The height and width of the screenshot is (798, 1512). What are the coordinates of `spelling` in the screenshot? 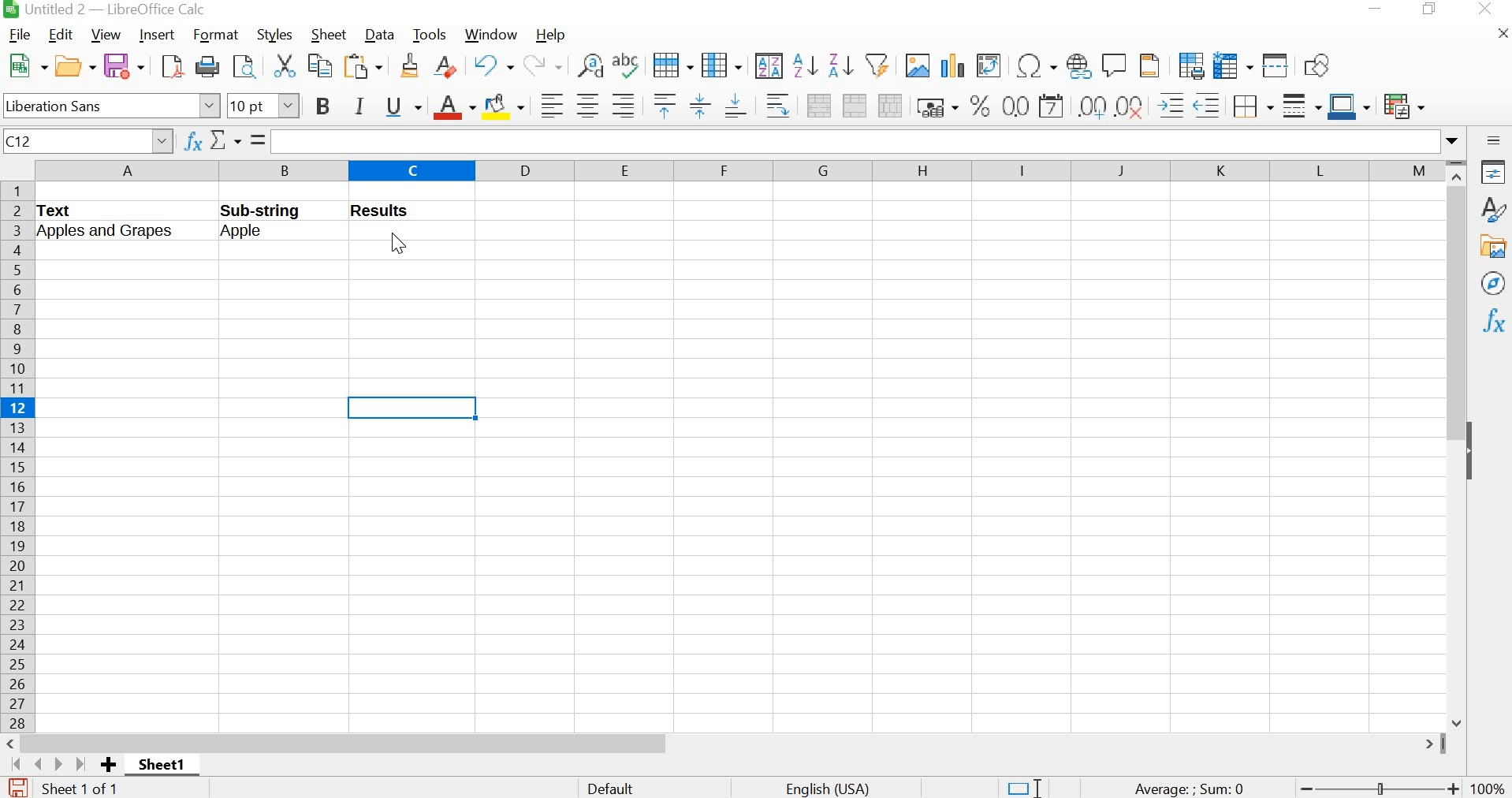 It's located at (624, 67).